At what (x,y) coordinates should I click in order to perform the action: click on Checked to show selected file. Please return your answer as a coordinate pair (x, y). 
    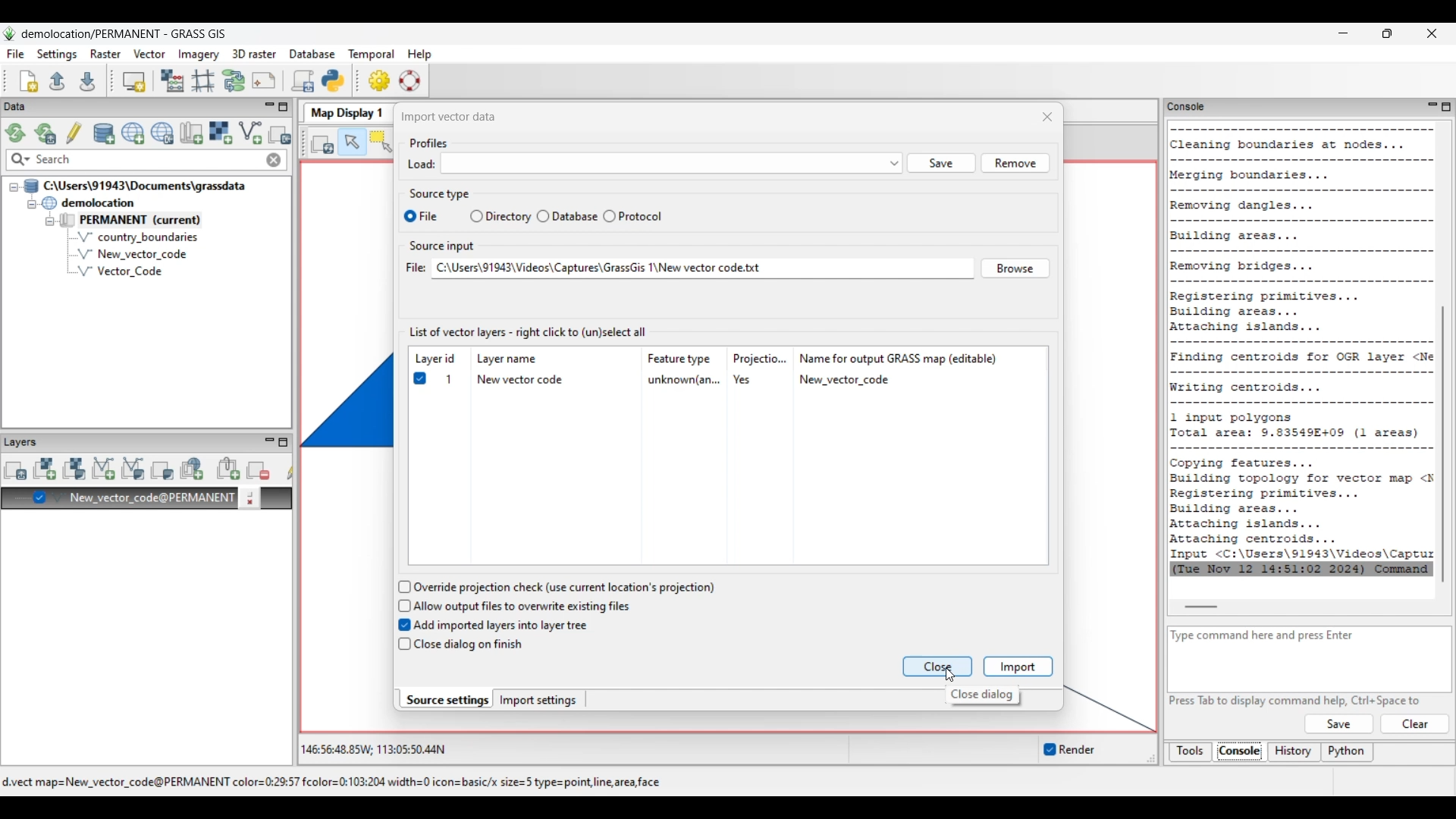
    Looking at the image, I should click on (419, 378).